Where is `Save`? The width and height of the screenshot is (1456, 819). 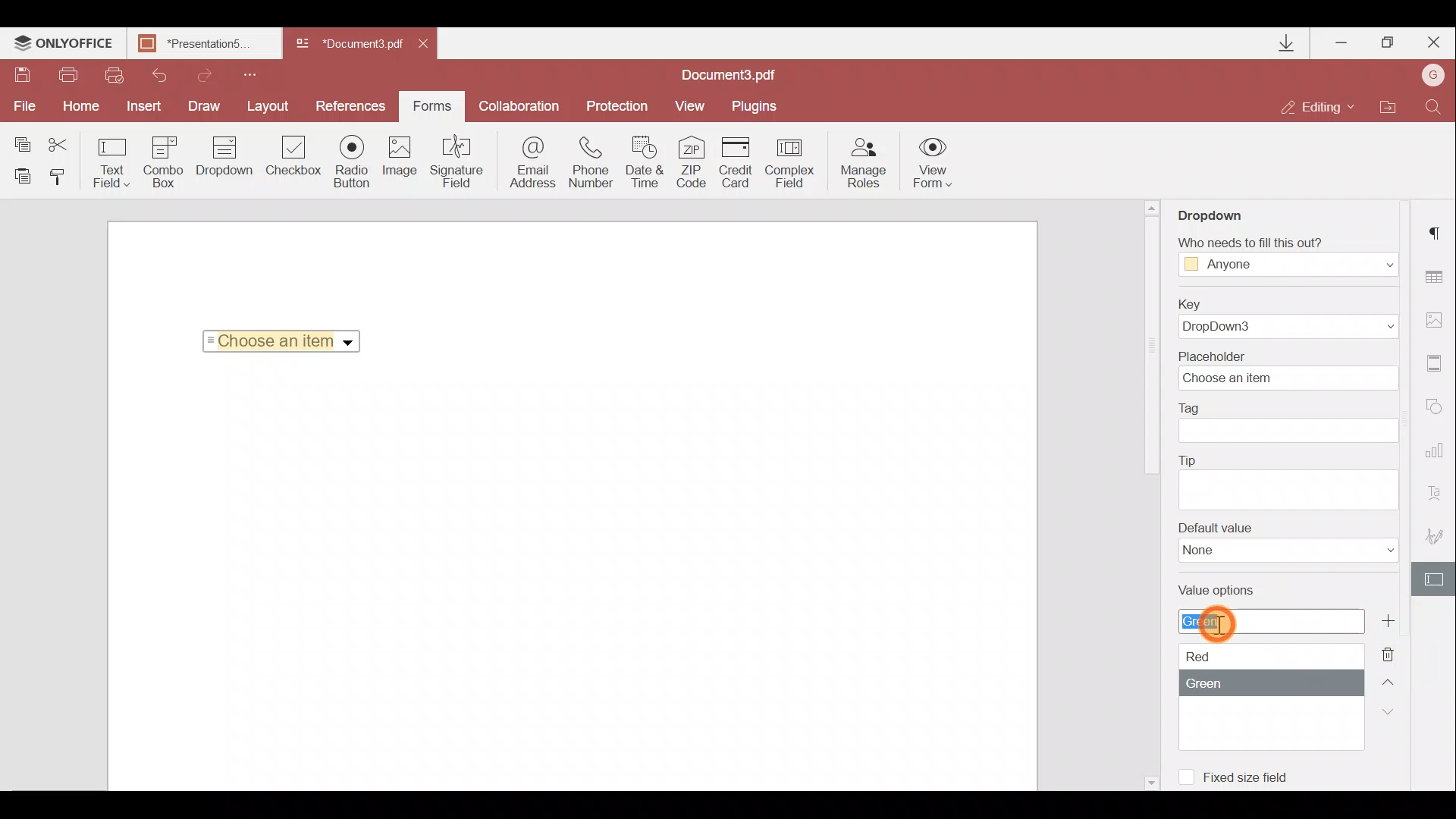 Save is located at coordinates (22, 75).